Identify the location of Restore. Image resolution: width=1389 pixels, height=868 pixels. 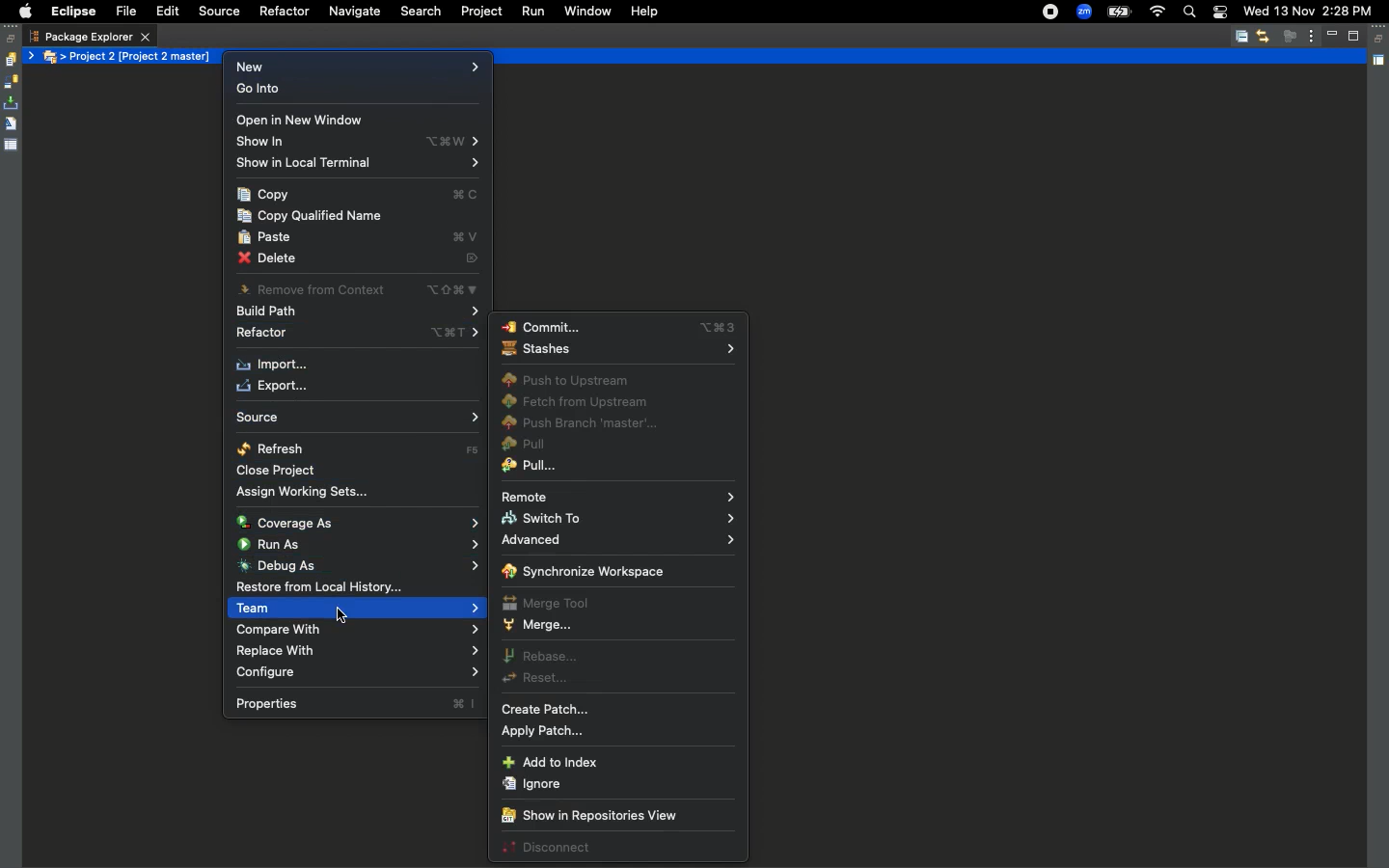
(1380, 40).